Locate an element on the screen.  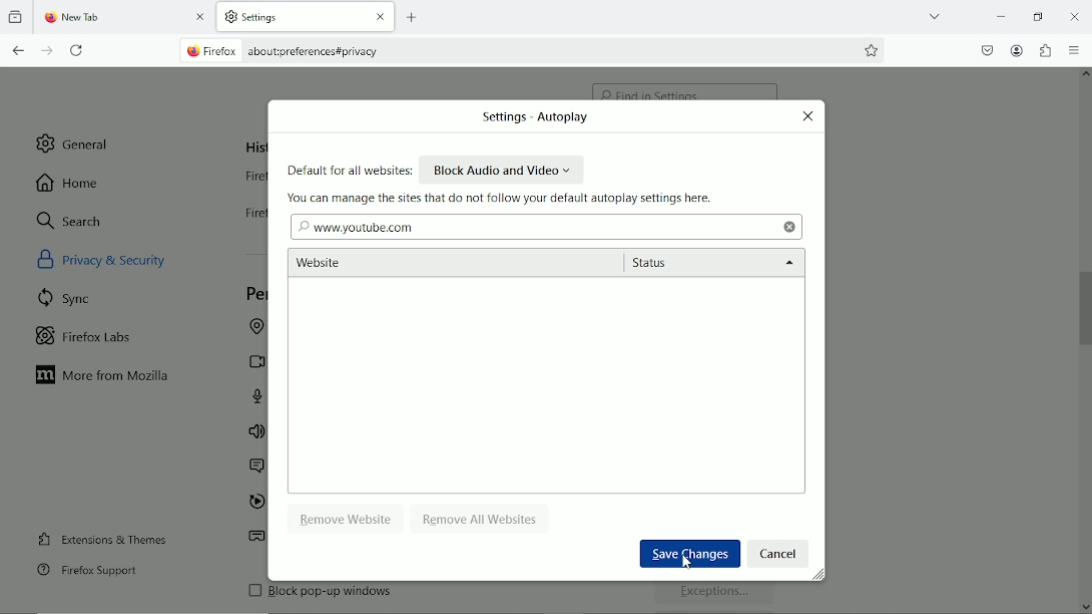
Exceptions... is located at coordinates (717, 595).